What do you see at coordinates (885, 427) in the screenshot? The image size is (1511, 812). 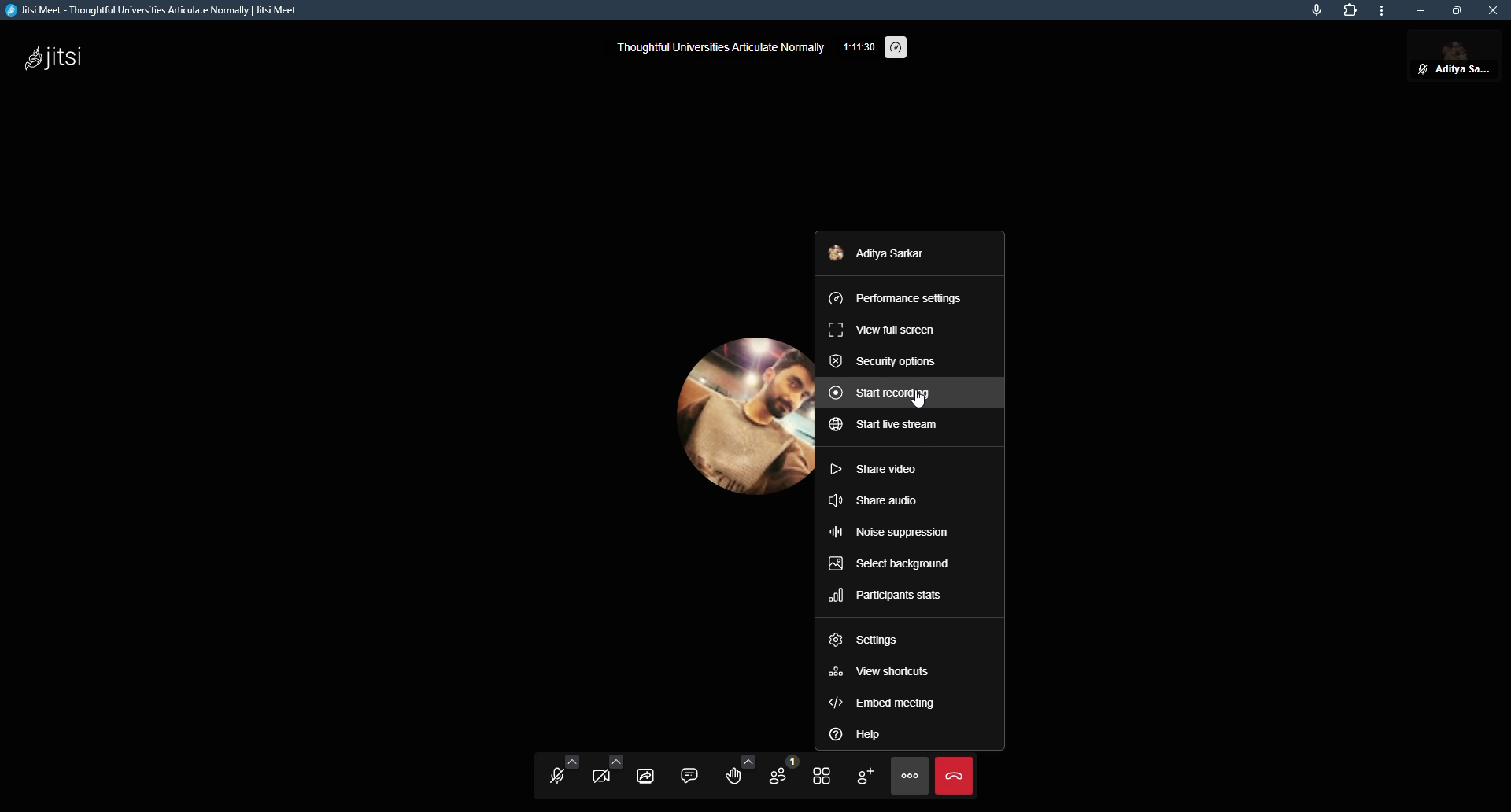 I see `start the stream` at bounding box center [885, 427].